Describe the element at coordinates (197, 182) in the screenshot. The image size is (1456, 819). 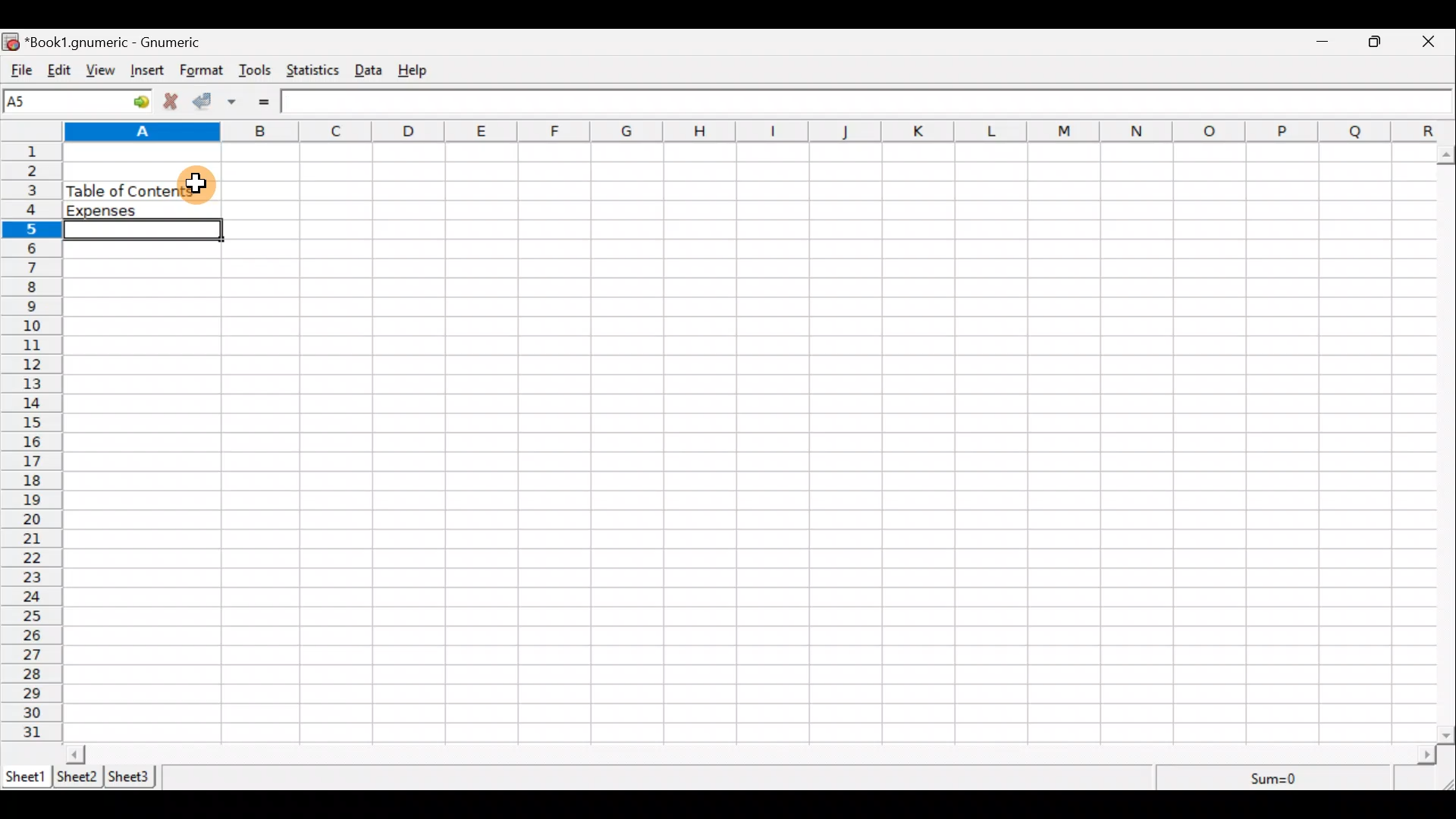
I see `Cursor hovering on cell A3` at that location.